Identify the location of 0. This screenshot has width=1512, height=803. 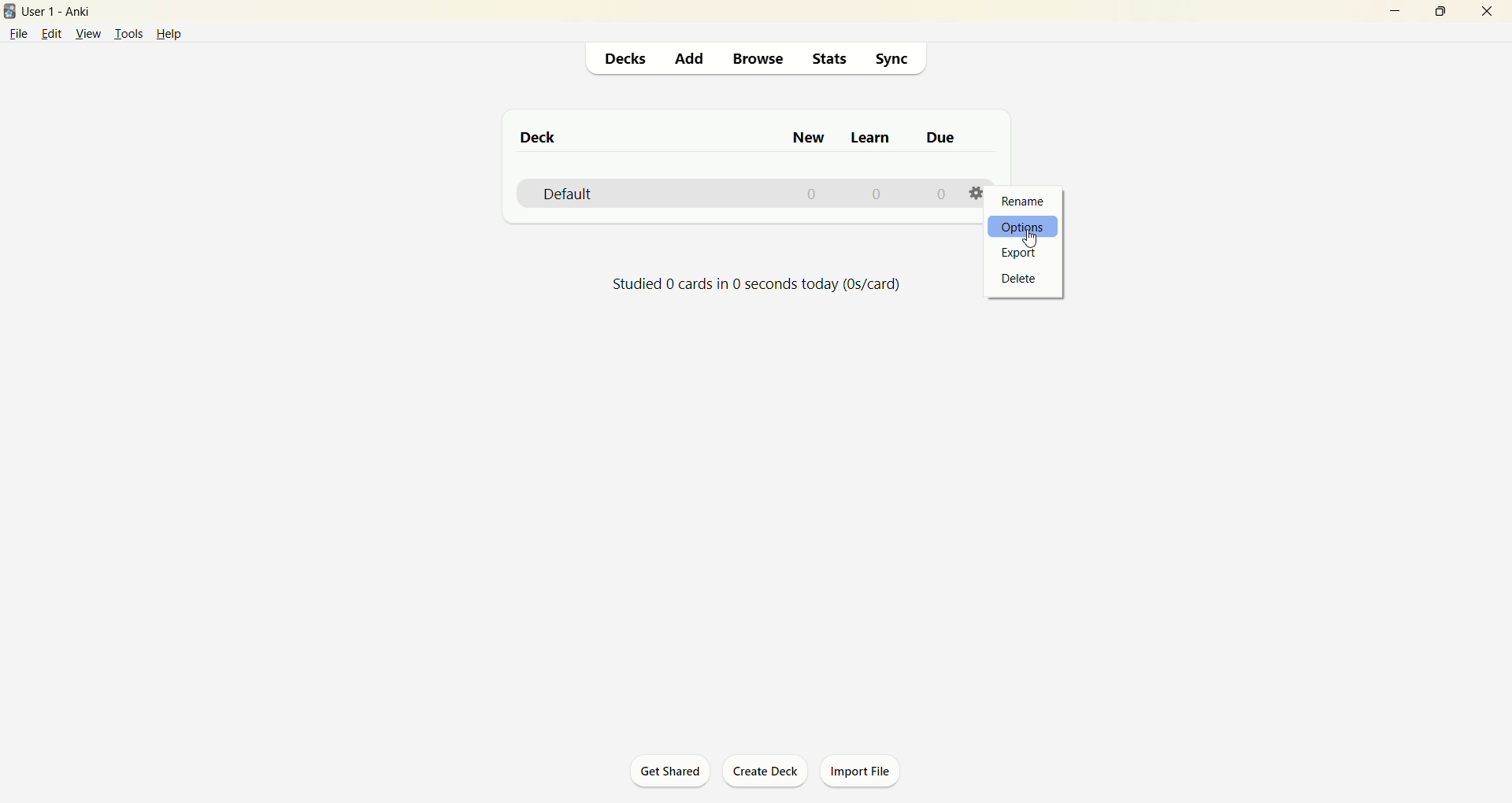
(814, 195).